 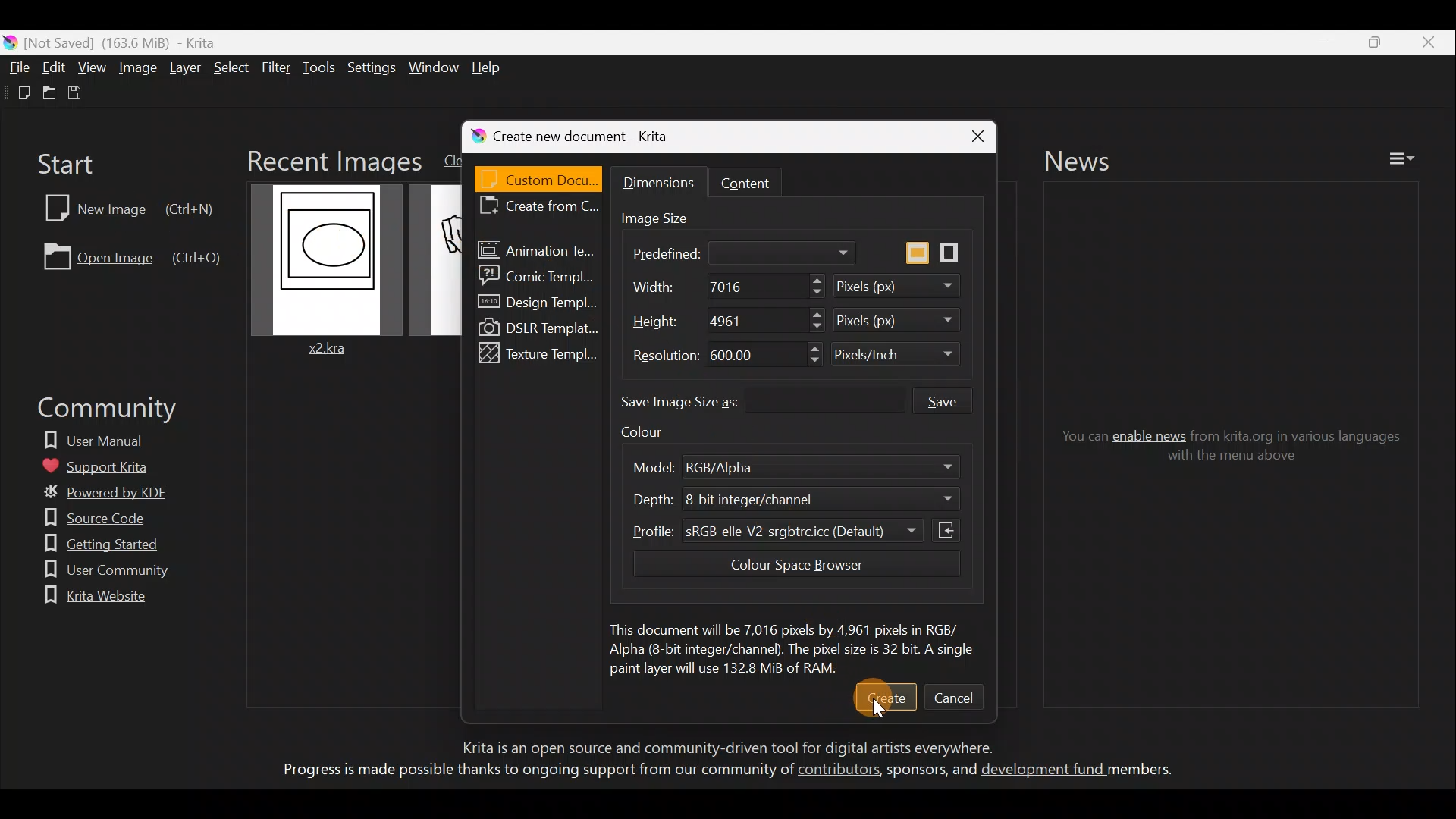 What do you see at coordinates (331, 159) in the screenshot?
I see `Recent images` at bounding box center [331, 159].